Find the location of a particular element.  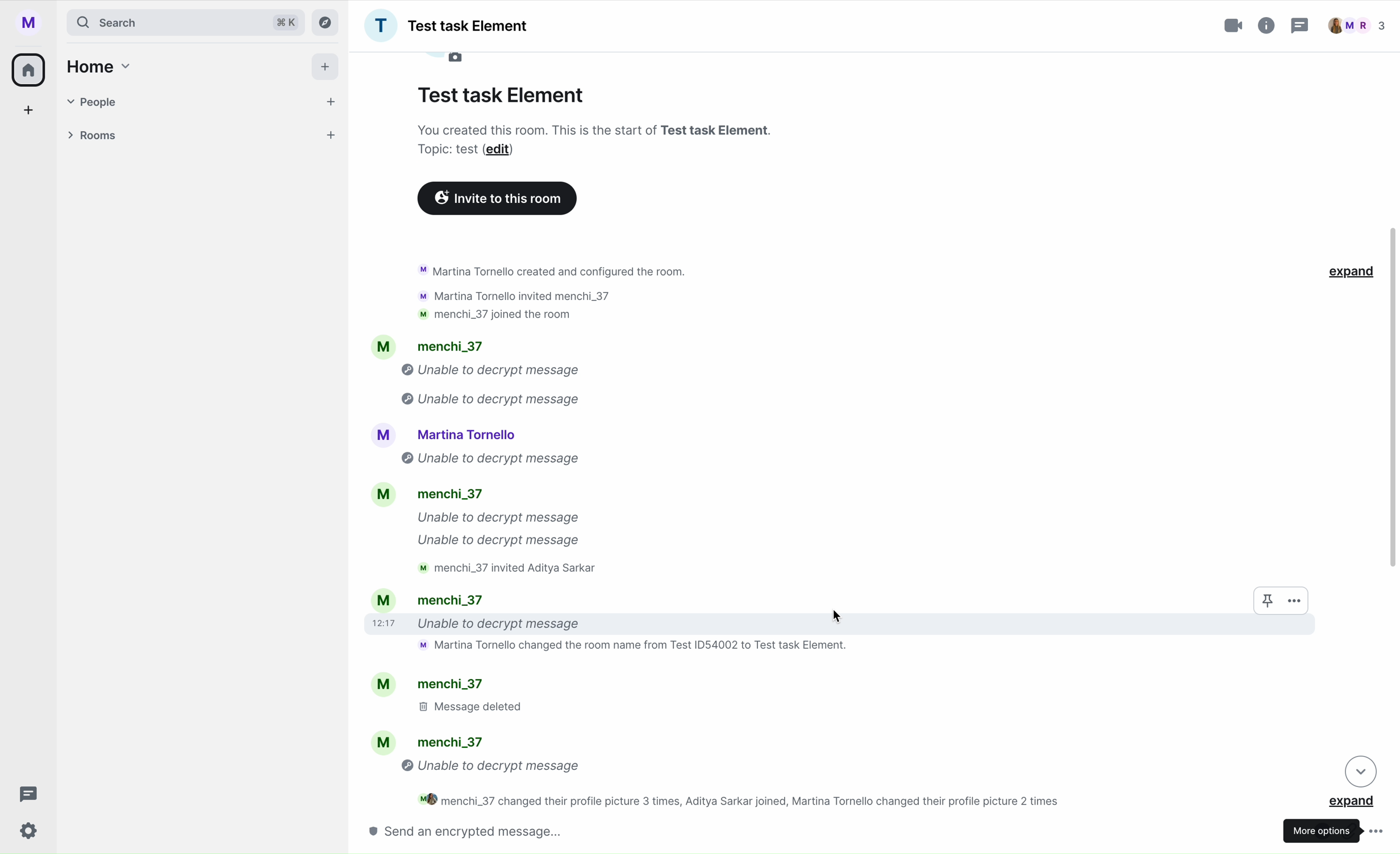

home is located at coordinates (30, 69).